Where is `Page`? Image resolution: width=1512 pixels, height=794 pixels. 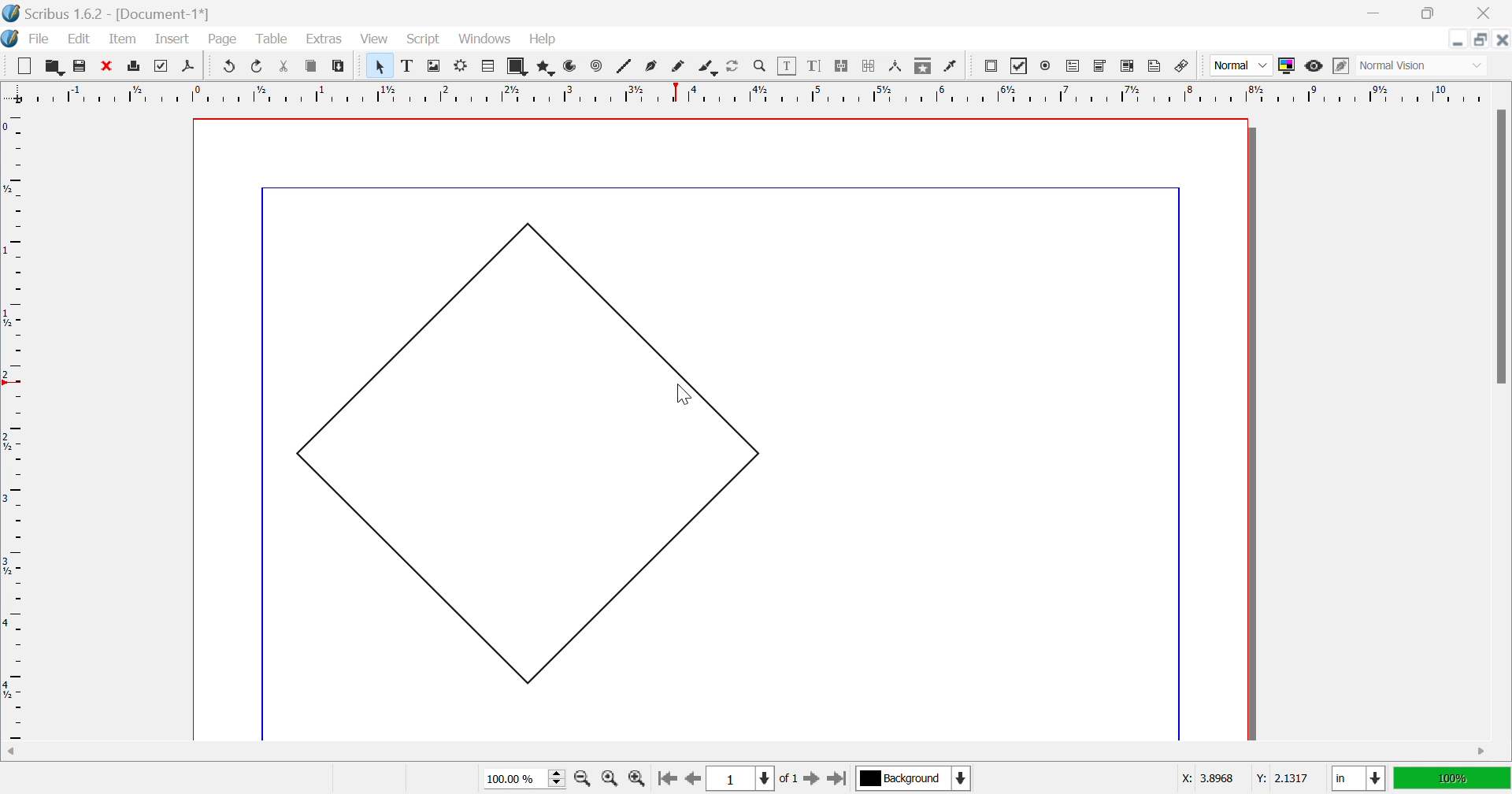
Page is located at coordinates (221, 39).